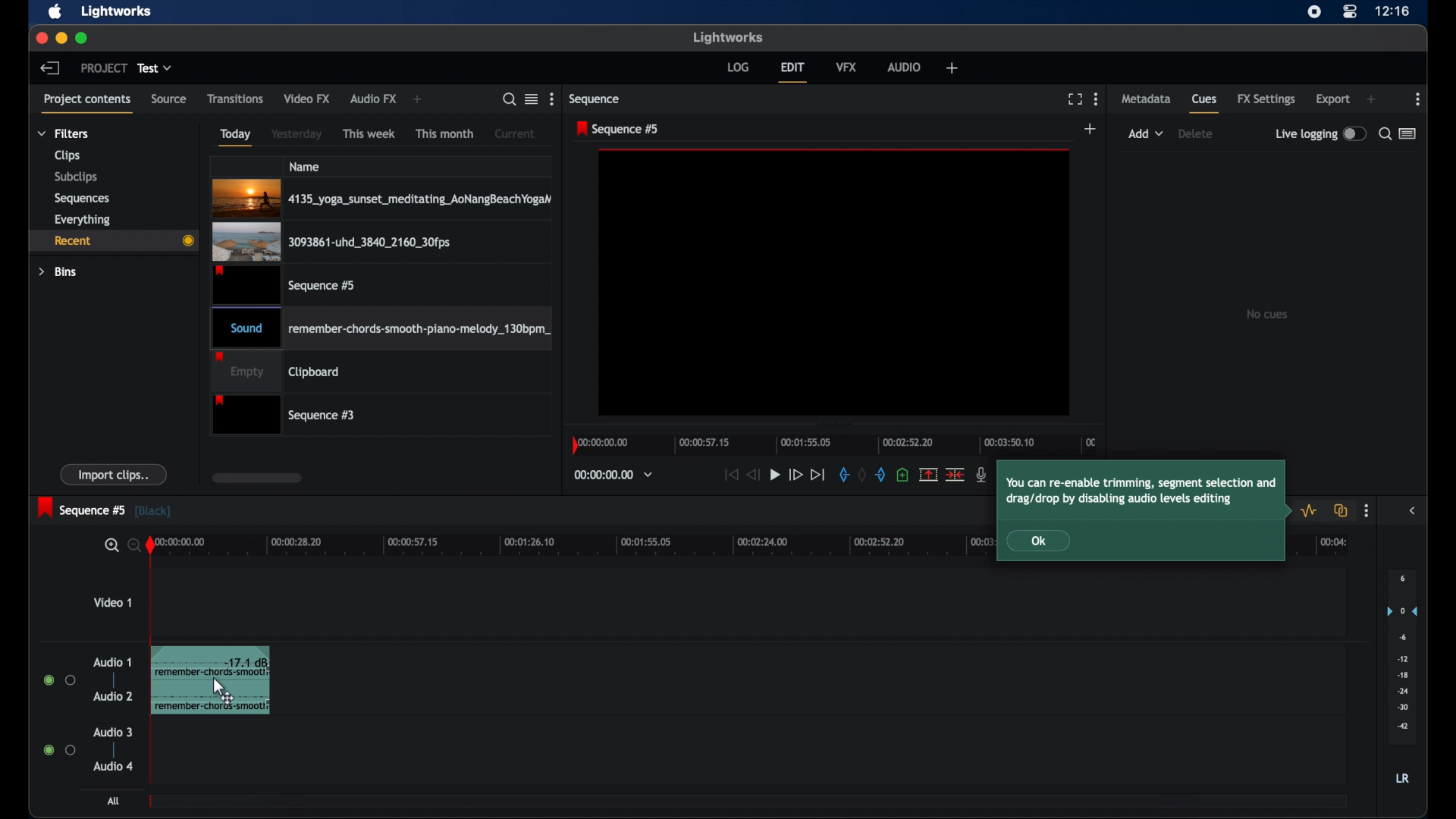  Describe the element at coordinates (150, 545) in the screenshot. I see `playhead` at that location.